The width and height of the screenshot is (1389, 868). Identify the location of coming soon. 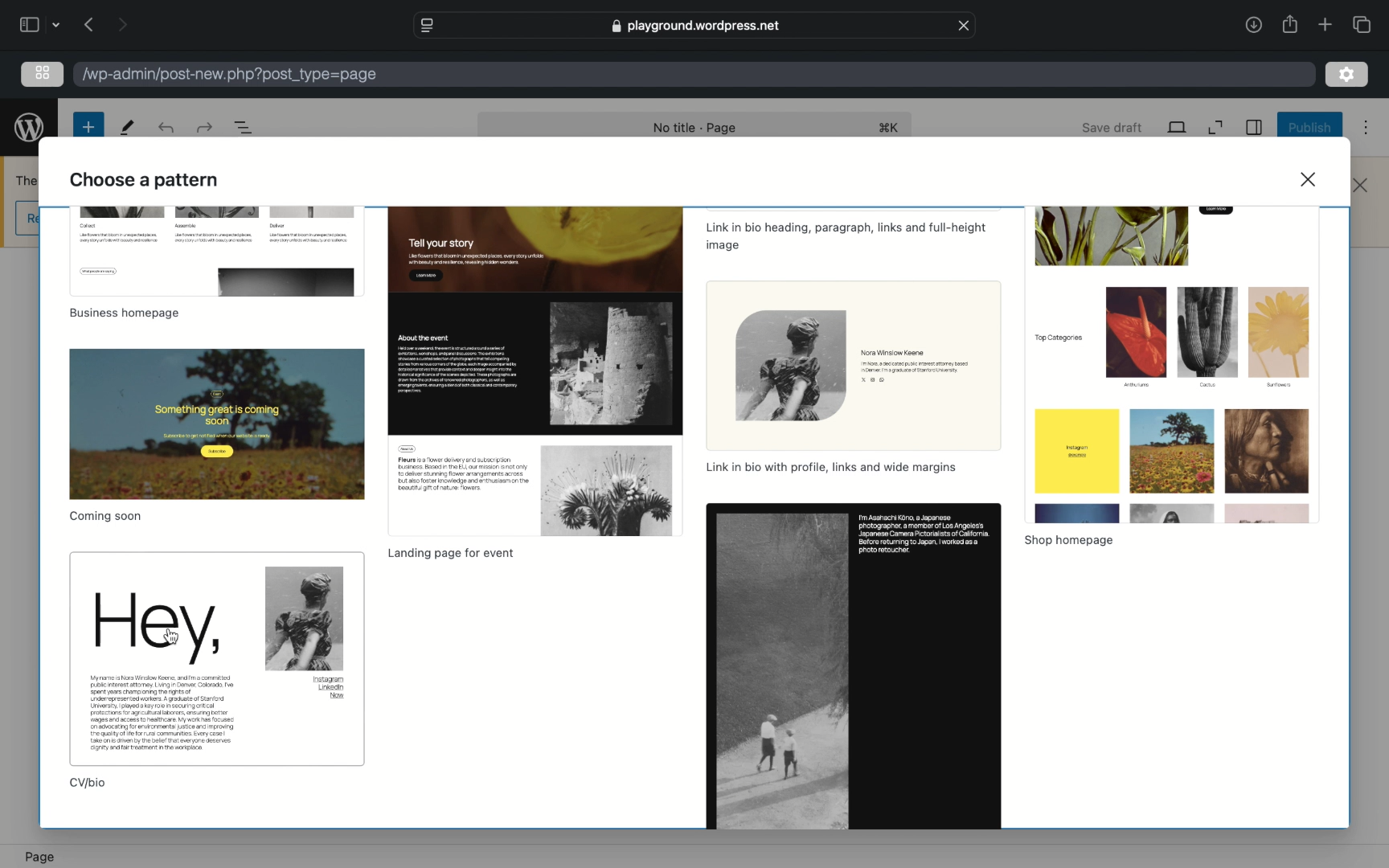
(106, 515).